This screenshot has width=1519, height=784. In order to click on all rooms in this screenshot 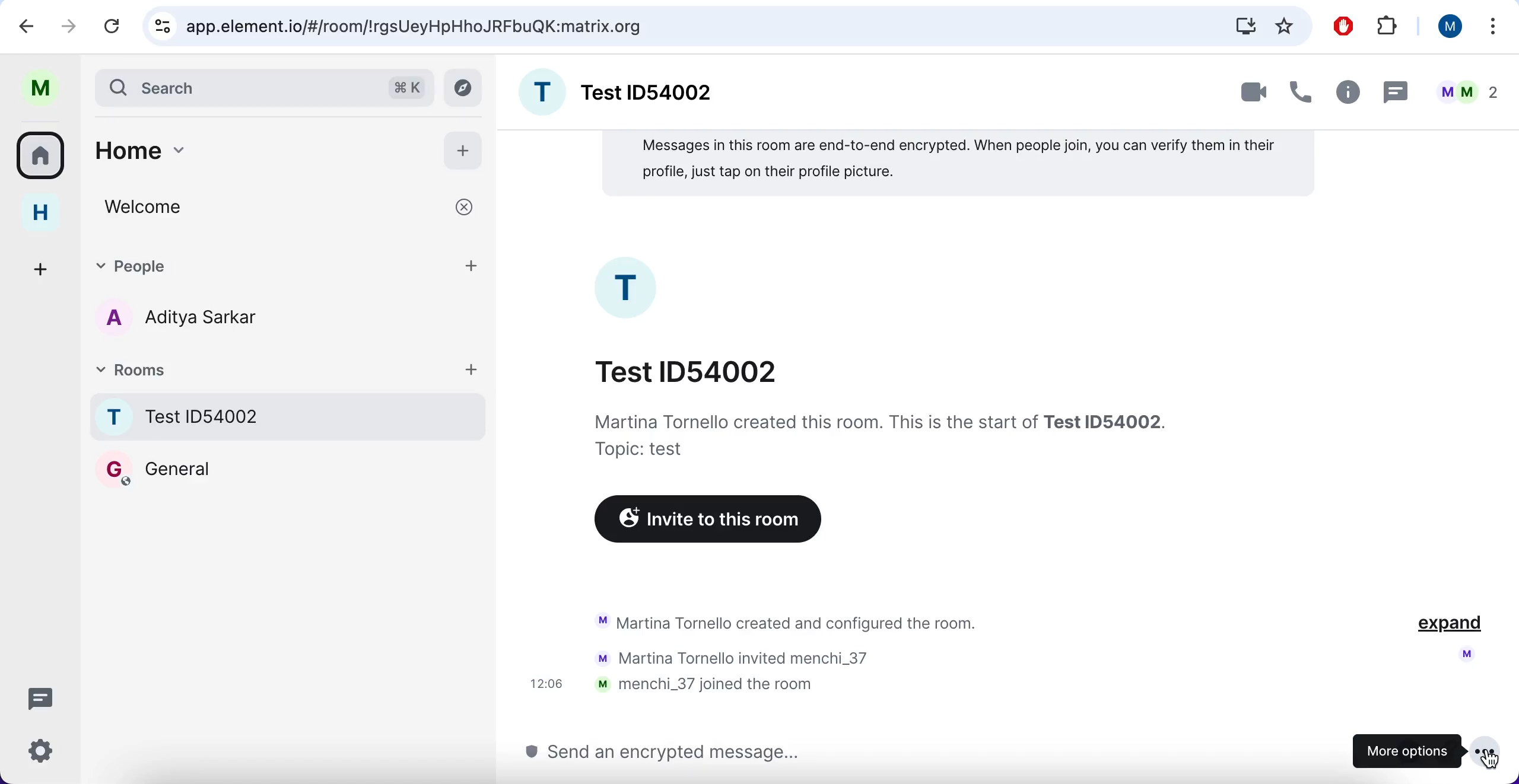, I will do `click(42, 160)`.